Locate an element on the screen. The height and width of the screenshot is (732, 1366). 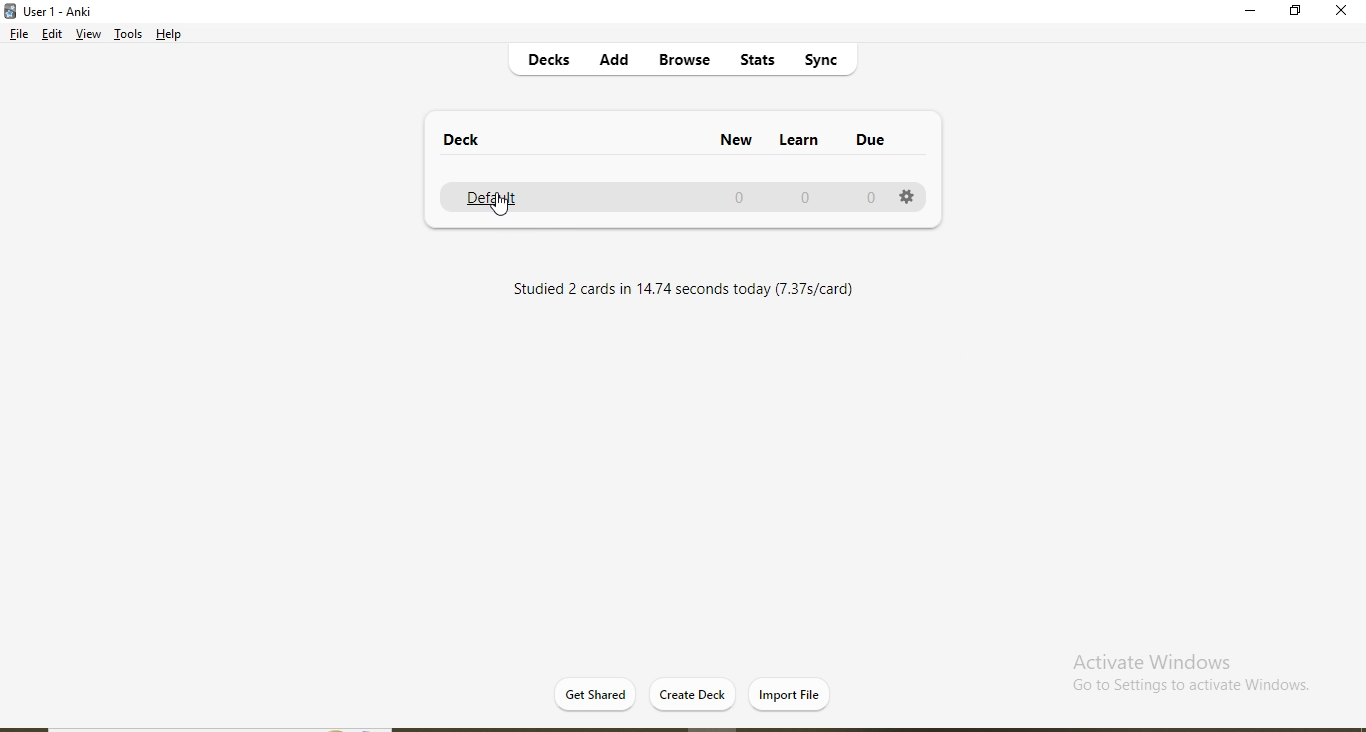
learn is located at coordinates (808, 138).